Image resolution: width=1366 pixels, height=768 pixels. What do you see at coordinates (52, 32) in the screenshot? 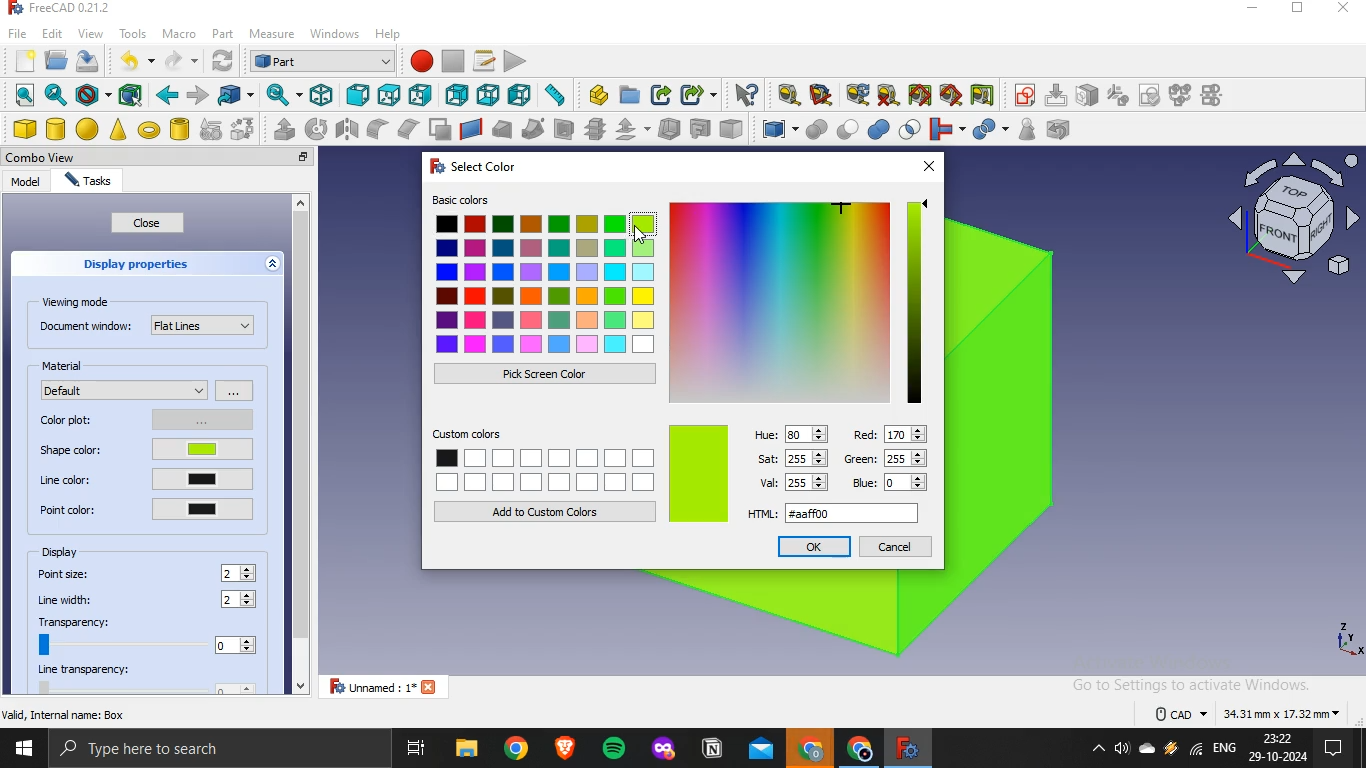
I see `edit` at bounding box center [52, 32].